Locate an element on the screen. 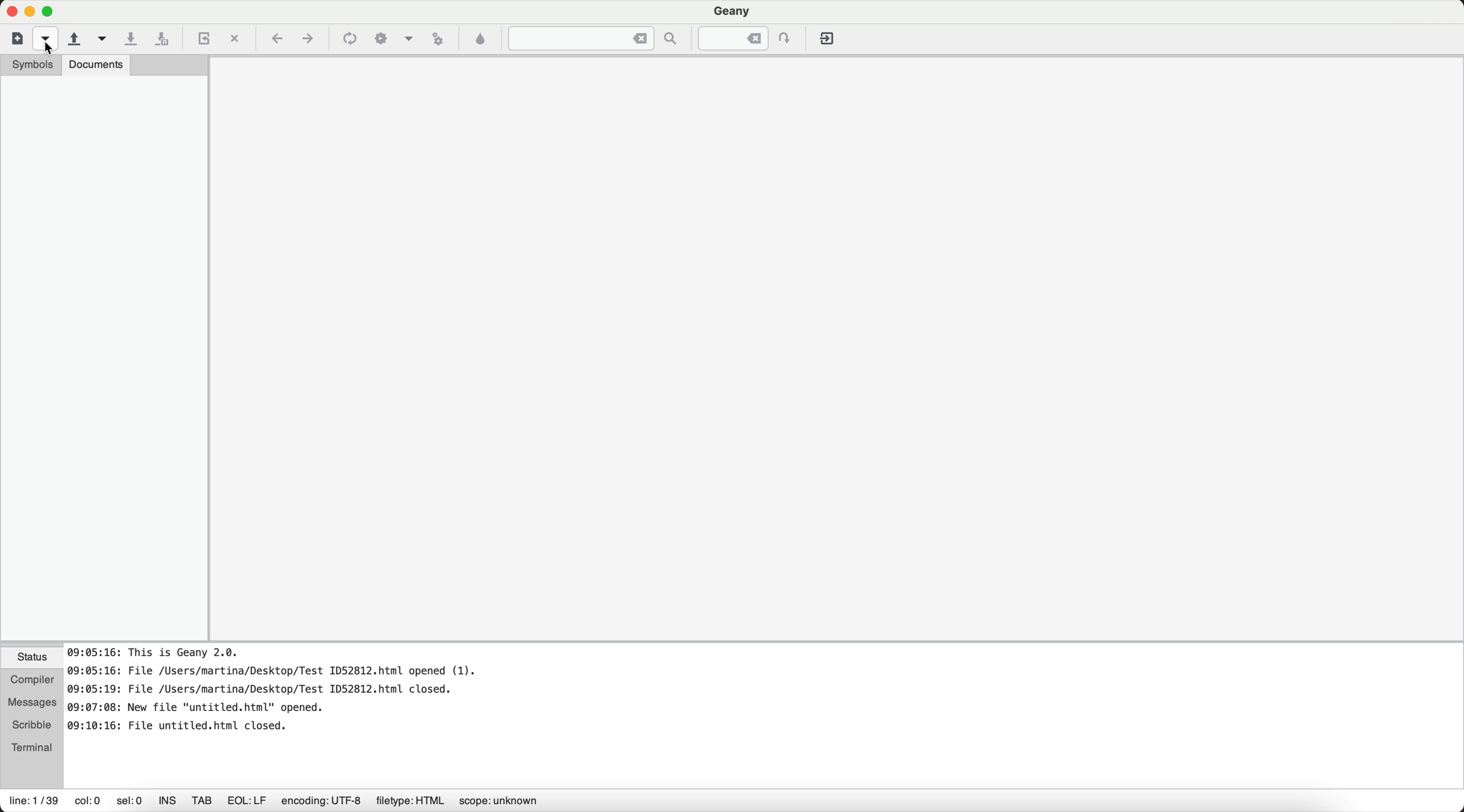 The image size is (1464, 812). compile the current file is located at coordinates (350, 40).